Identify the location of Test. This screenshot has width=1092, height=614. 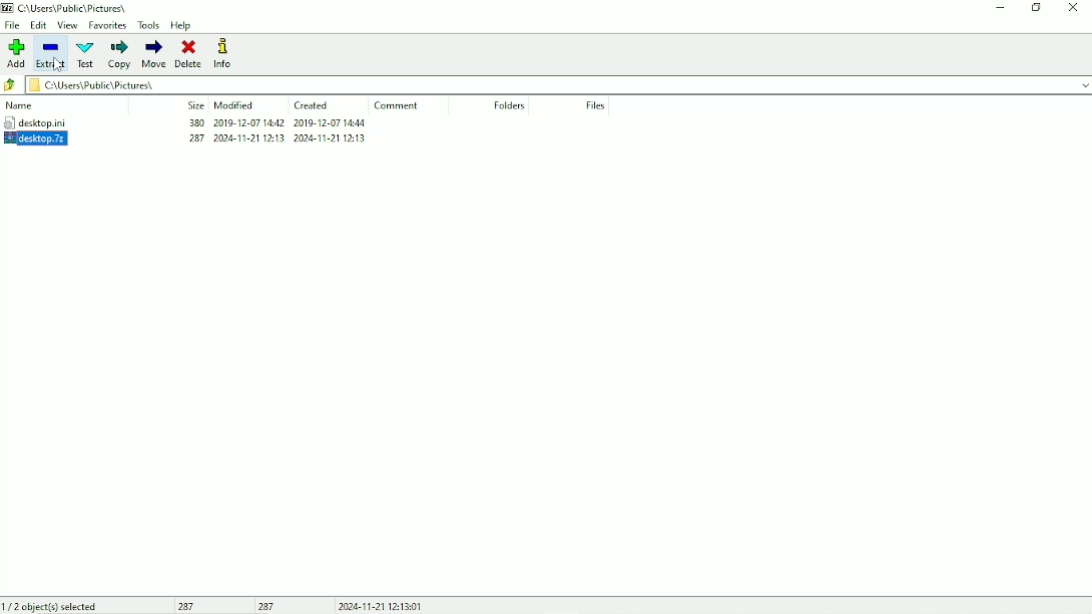
(86, 55).